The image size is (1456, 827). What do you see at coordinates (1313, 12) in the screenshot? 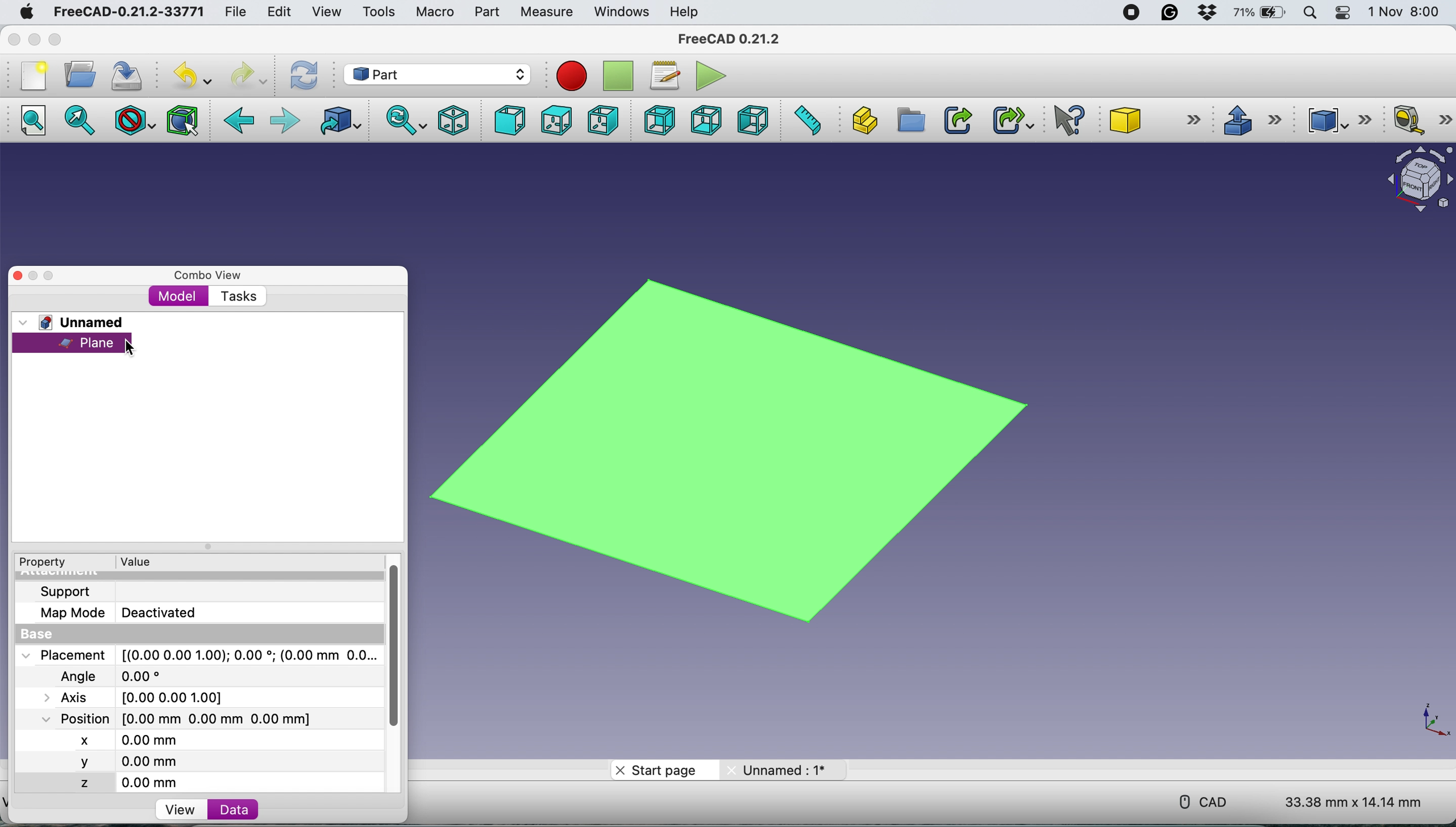
I see `spotlight search` at bounding box center [1313, 12].